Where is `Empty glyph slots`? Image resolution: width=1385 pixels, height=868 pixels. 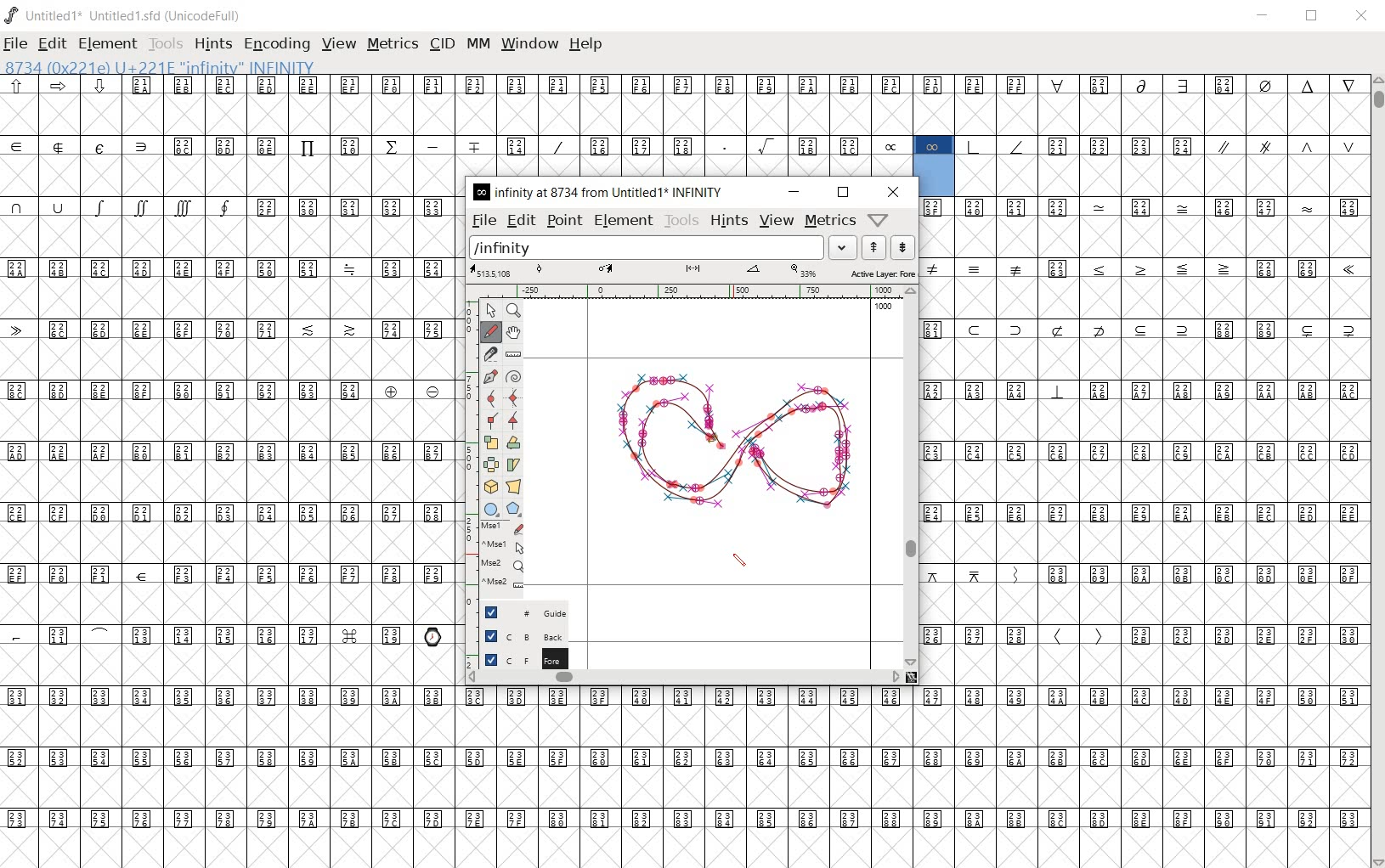 Empty glyph slots is located at coordinates (1142, 236).